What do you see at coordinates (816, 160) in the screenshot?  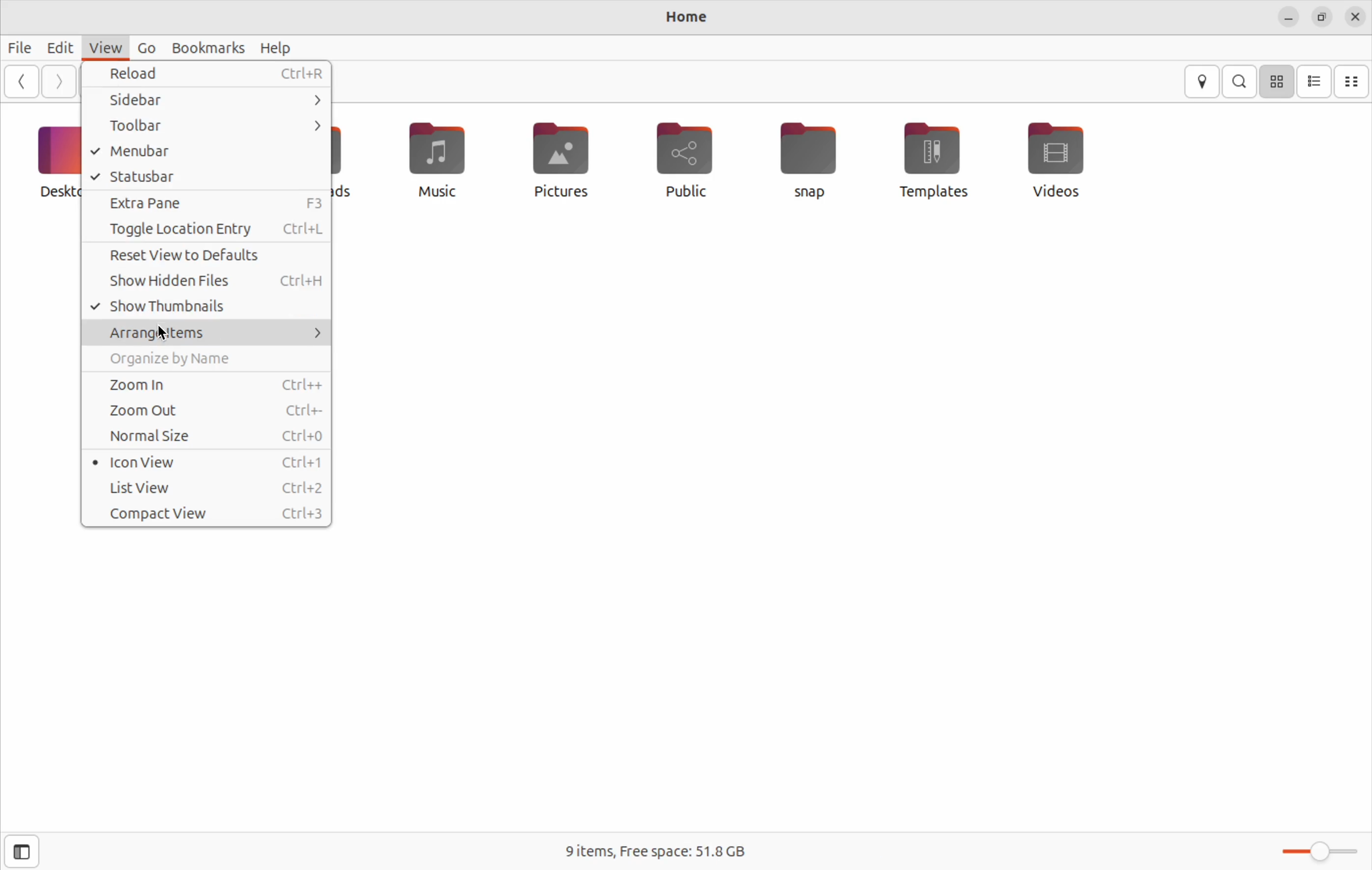 I see `snap files` at bounding box center [816, 160].